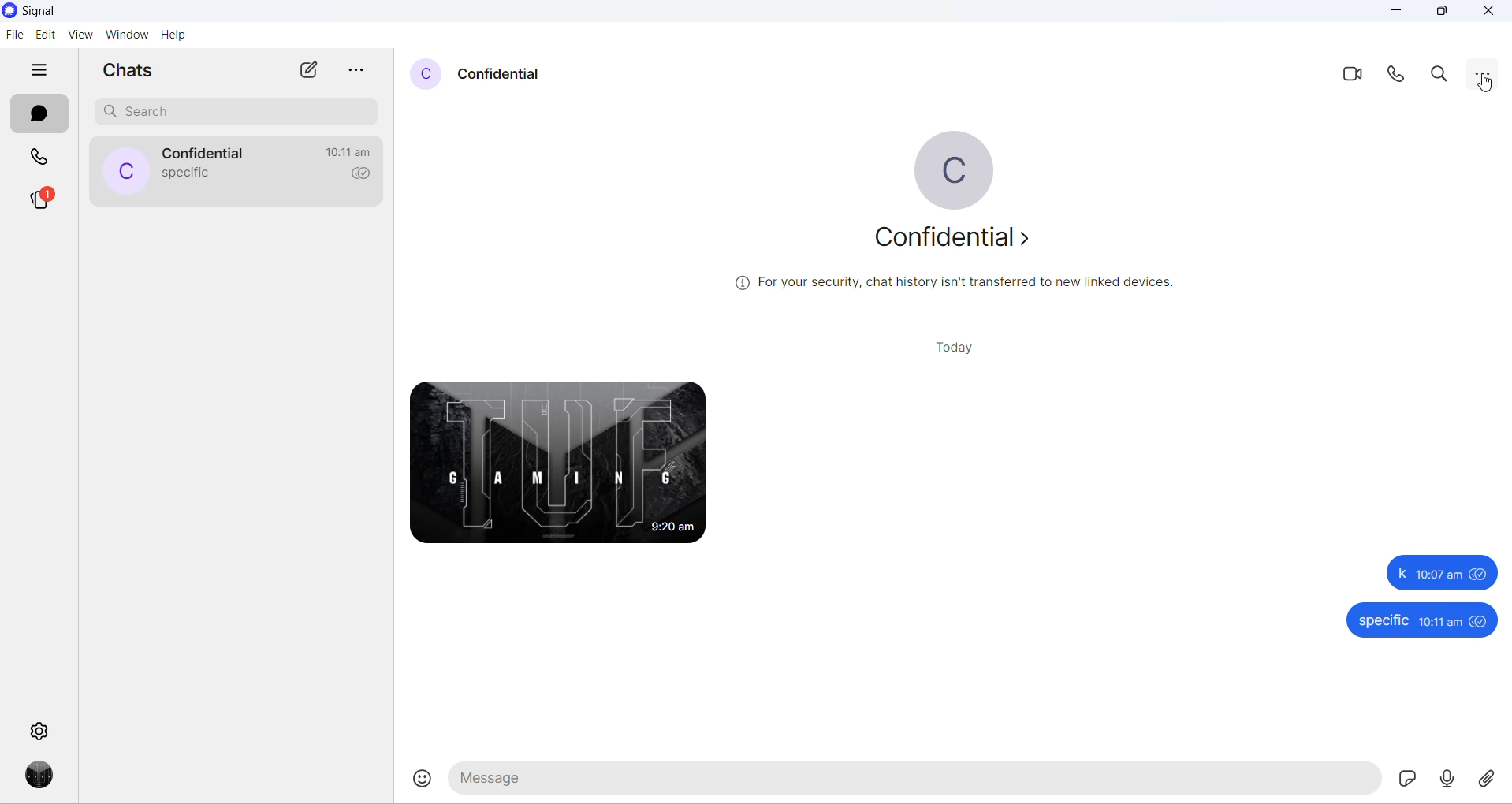 The height and width of the screenshot is (804, 1512). I want to click on maximize, so click(1441, 13).